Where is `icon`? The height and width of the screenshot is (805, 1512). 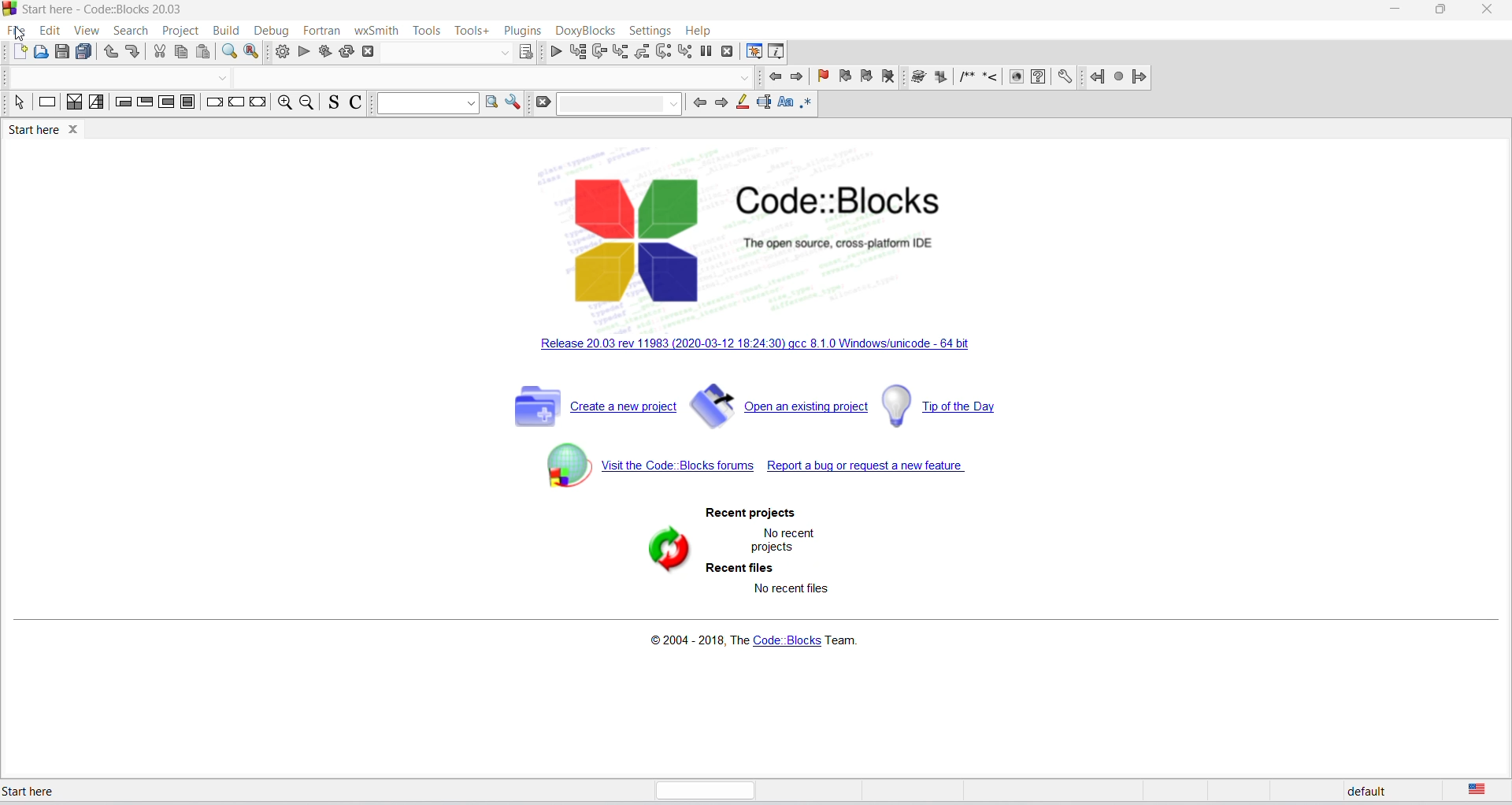
icon is located at coordinates (918, 78).